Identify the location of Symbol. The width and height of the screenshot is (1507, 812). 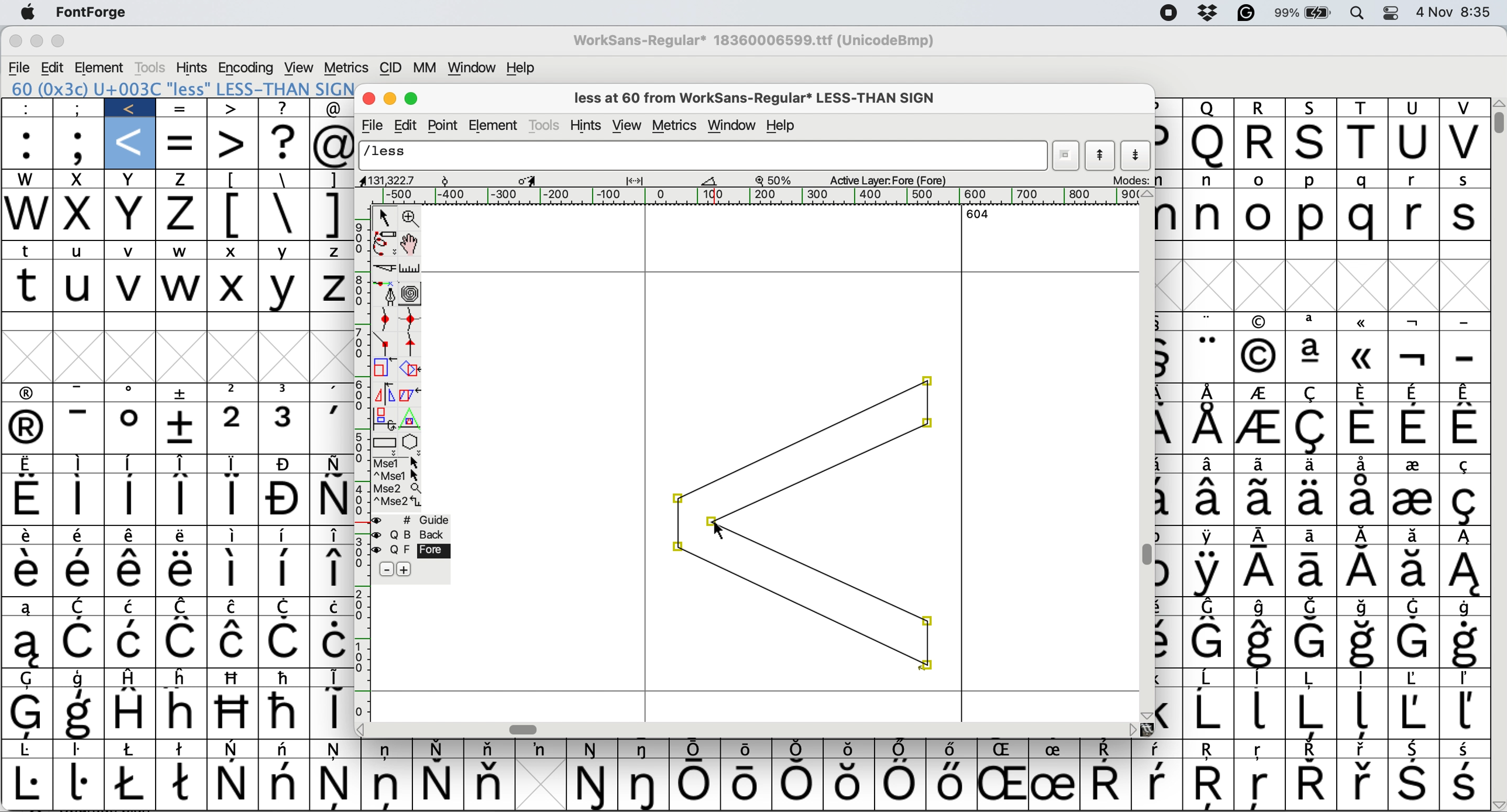
(1413, 358).